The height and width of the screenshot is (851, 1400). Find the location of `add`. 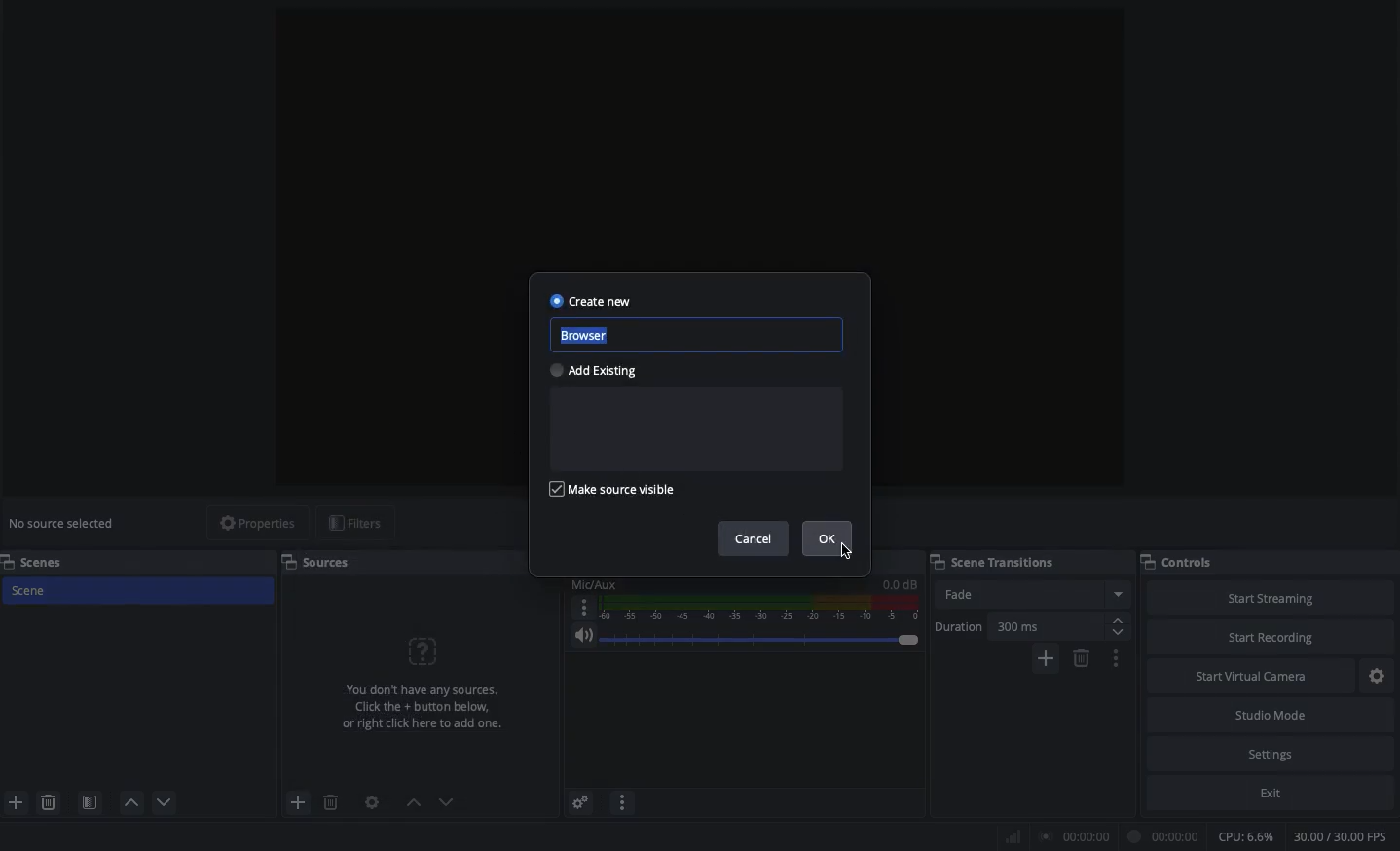

add is located at coordinates (16, 800).